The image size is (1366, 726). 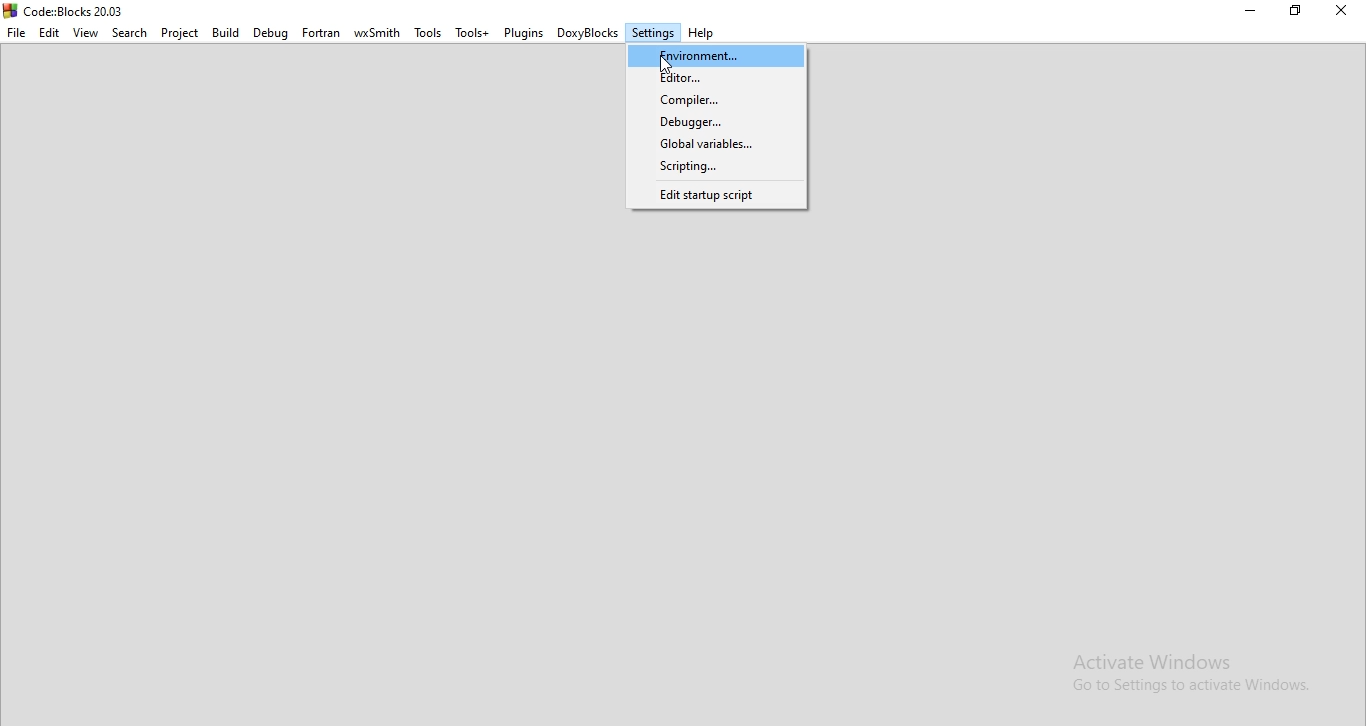 What do you see at coordinates (1196, 676) in the screenshot?
I see `Activate Windows ` at bounding box center [1196, 676].